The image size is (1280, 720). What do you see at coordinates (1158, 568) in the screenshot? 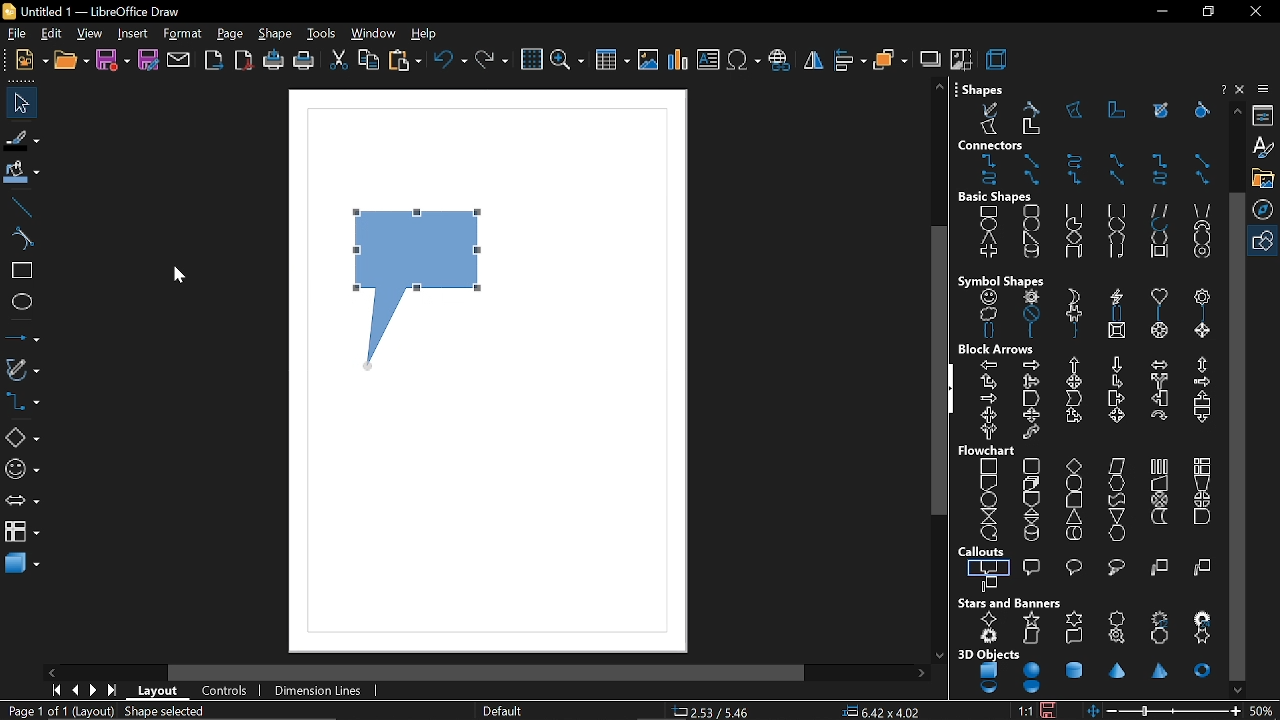
I see `line 1` at bounding box center [1158, 568].